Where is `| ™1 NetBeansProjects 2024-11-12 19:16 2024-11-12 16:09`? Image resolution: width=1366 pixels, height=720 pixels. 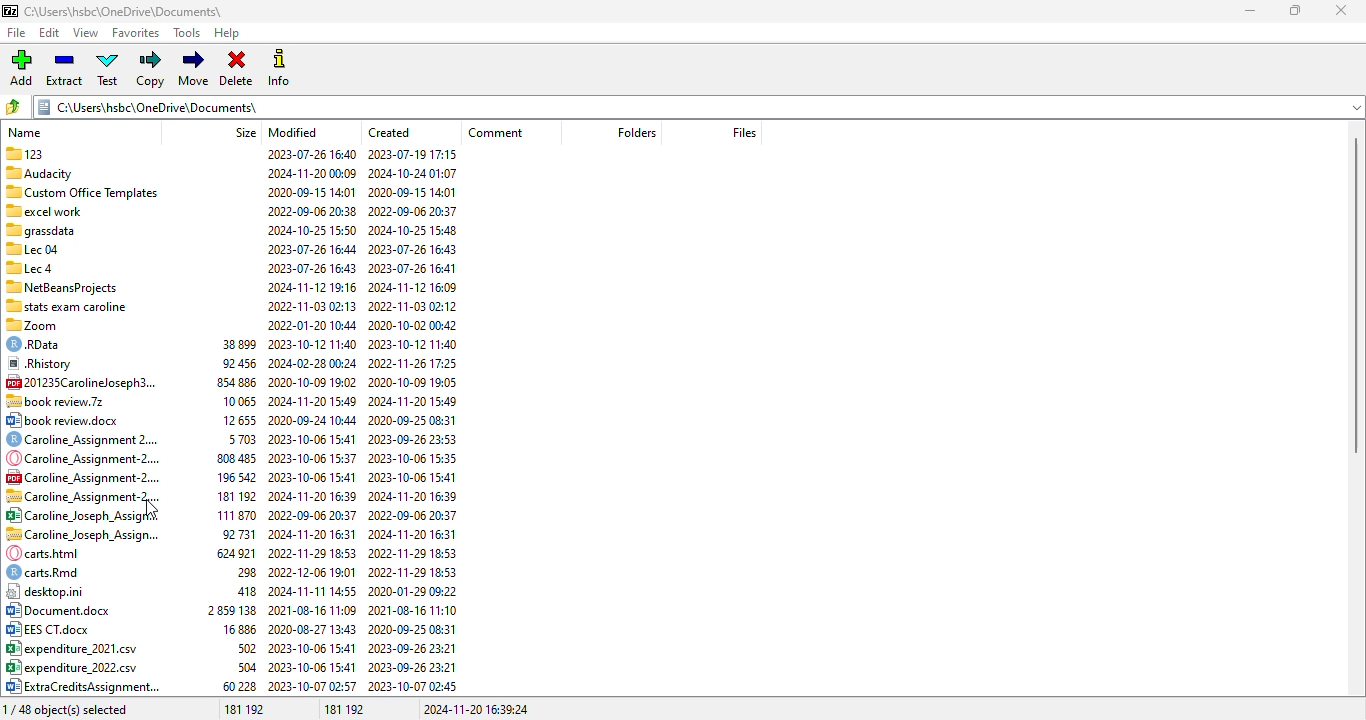 | ™1 NetBeansProjects 2024-11-12 19:16 2024-11-12 16:09 is located at coordinates (228, 285).